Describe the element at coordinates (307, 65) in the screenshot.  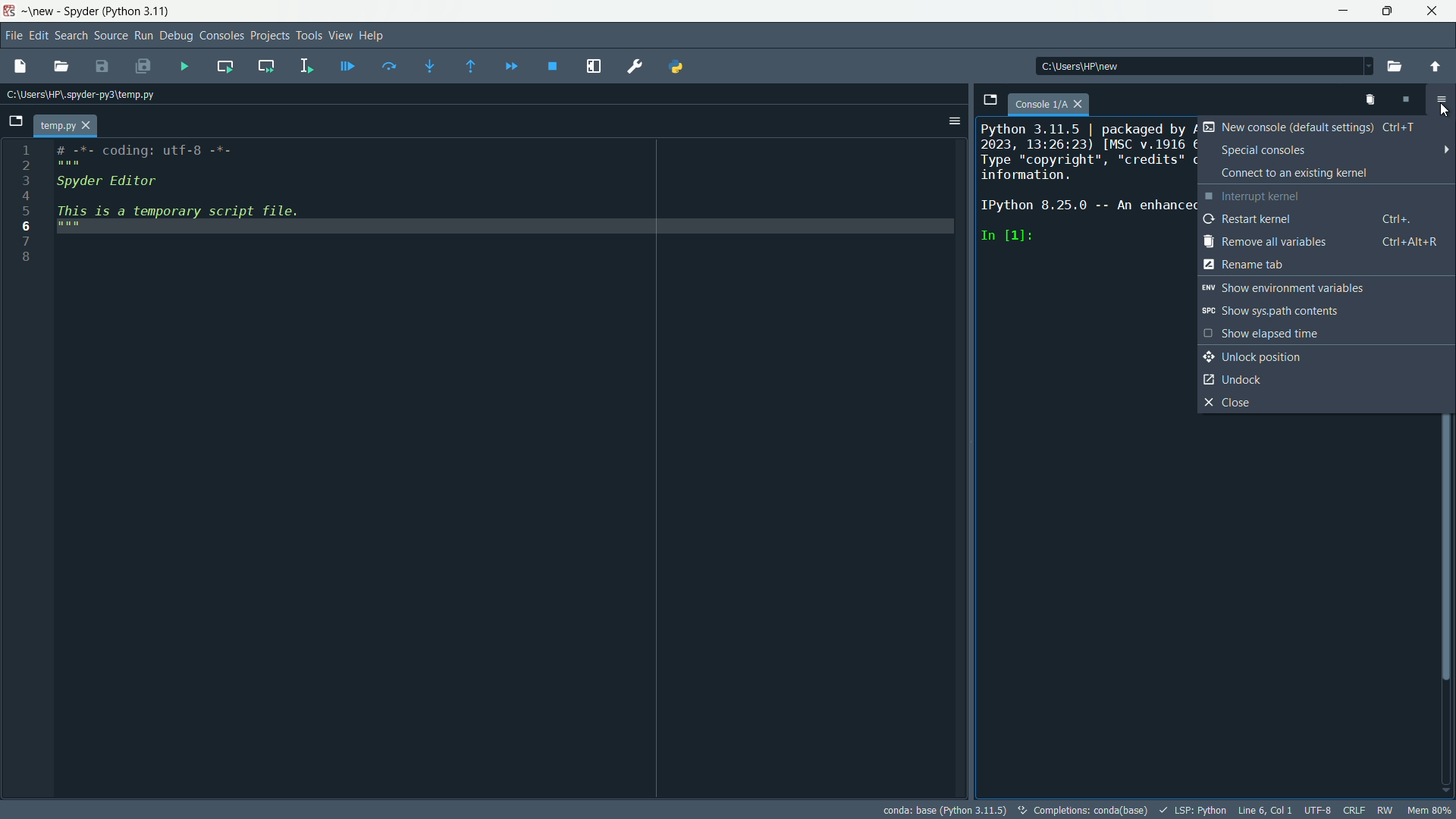
I see `run selection or current line` at that location.